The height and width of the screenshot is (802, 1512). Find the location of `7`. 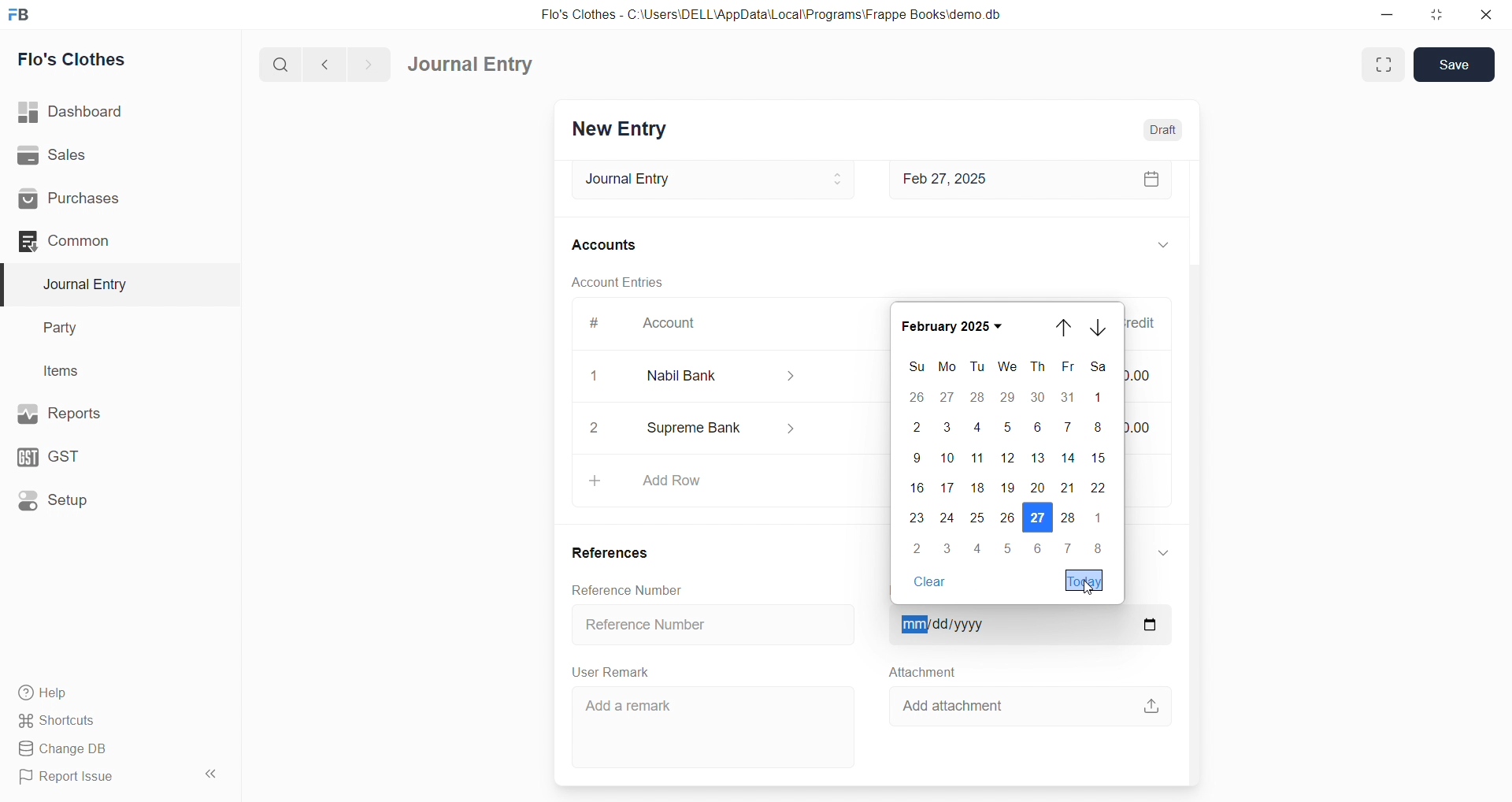

7 is located at coordinates (1071, 548).